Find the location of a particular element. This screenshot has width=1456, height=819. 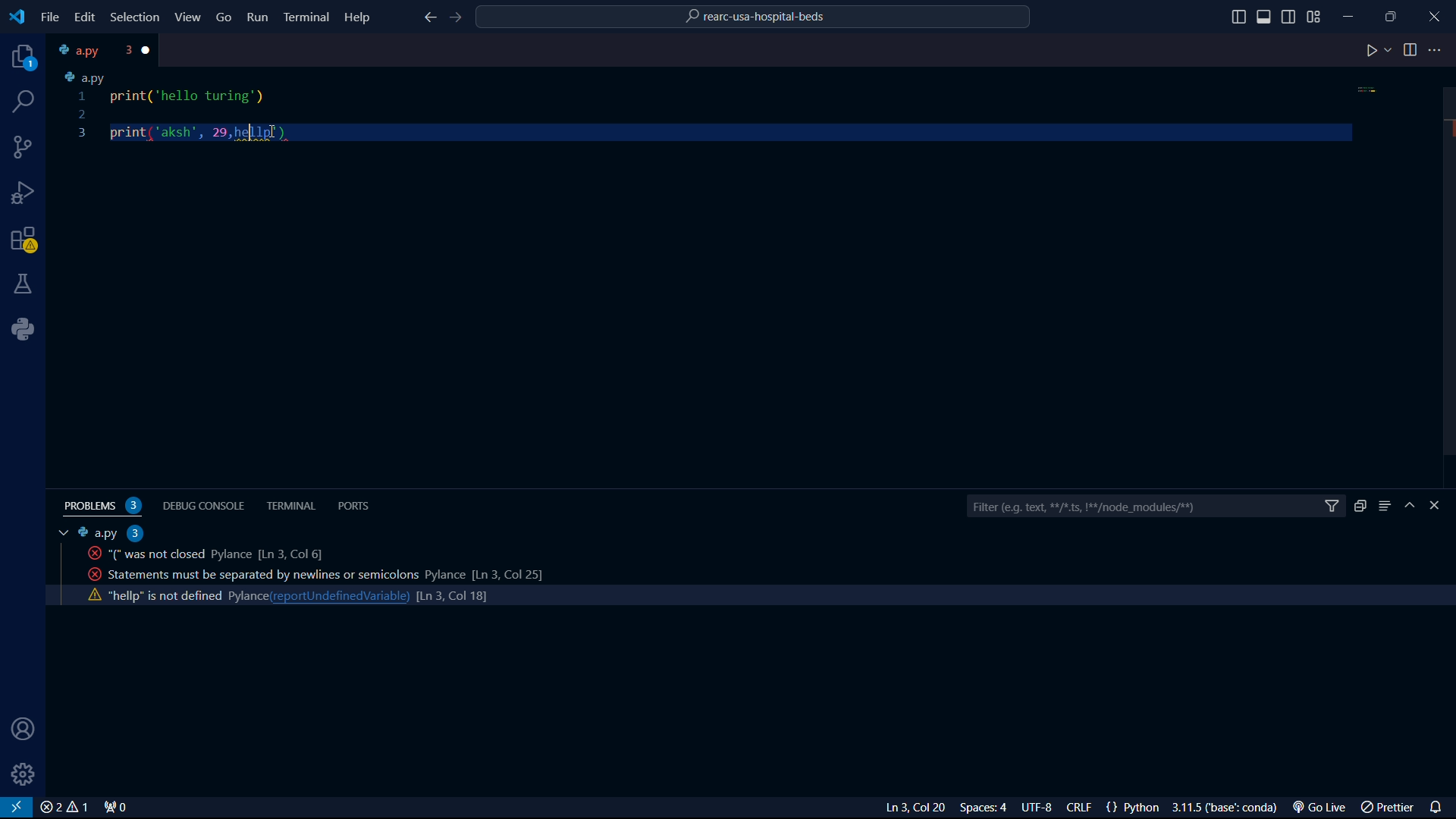

debug console is located at coordinates (206, 504).